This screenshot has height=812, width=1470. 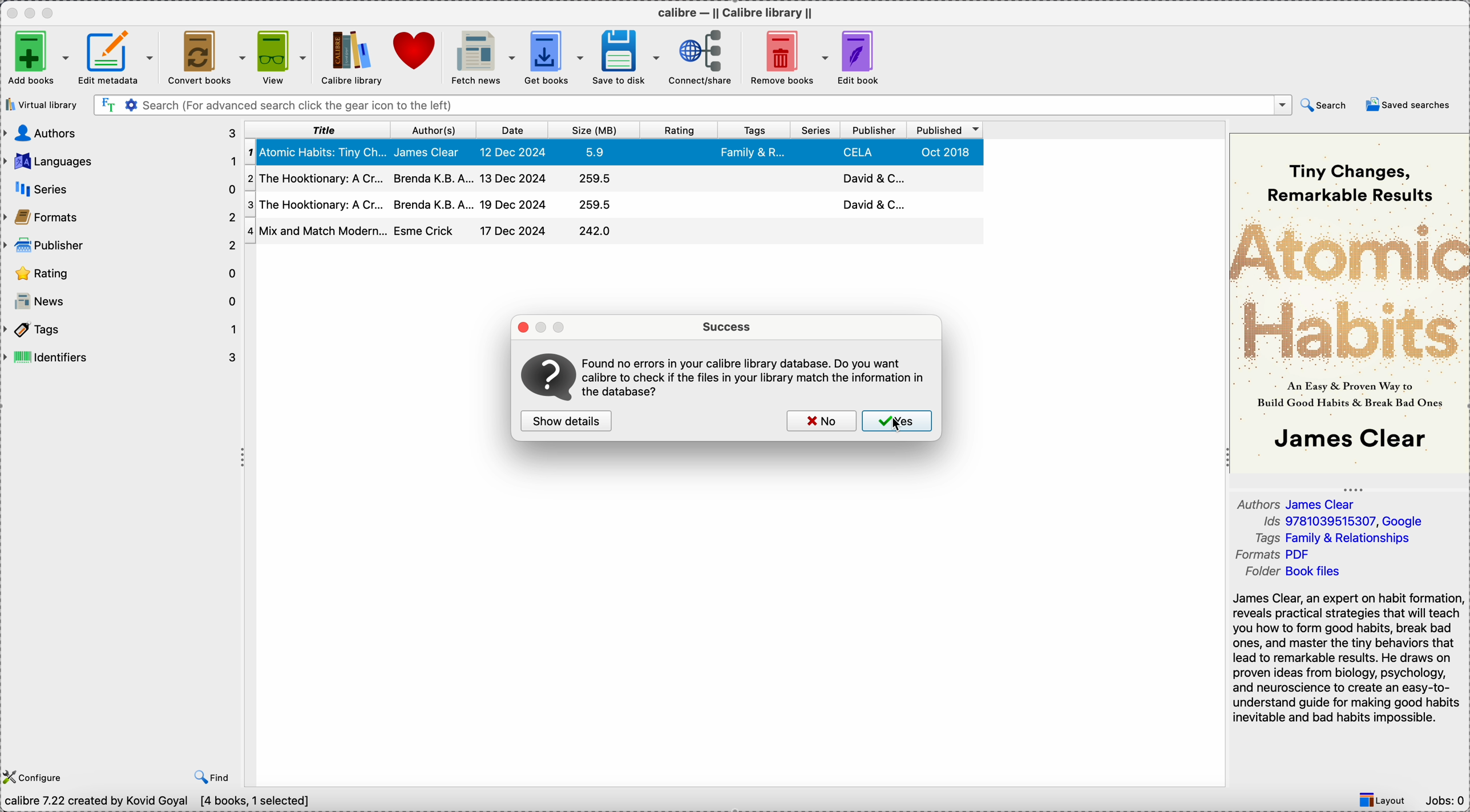 What do you see at coordinates (900, 423) in the screenshot?
I see `click on yes` at bounding box center [900, 423].